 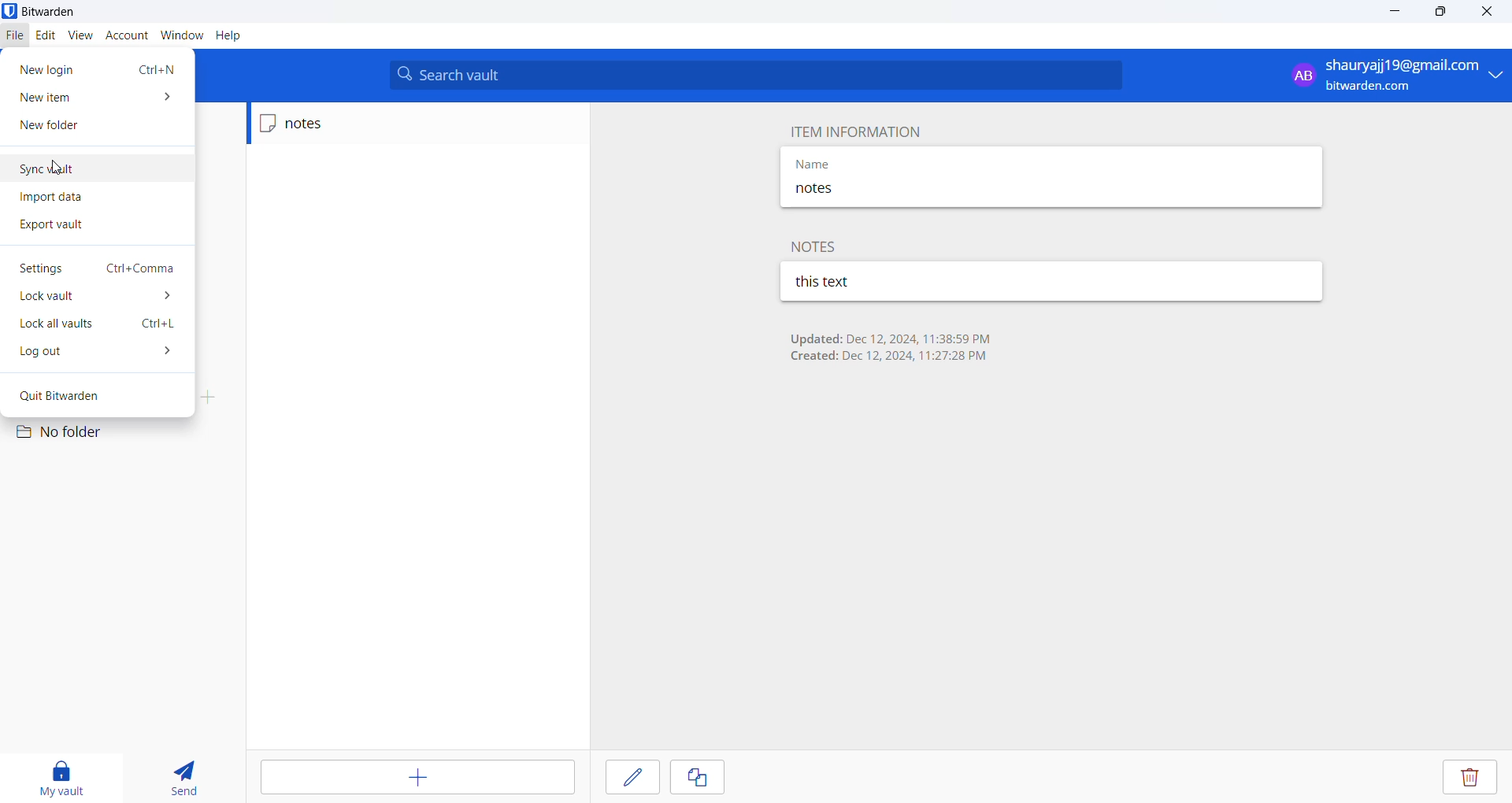 What do you see at coordinates (875, 161) in the screenshot?
I see `name ` at bounding box center [875, 161].